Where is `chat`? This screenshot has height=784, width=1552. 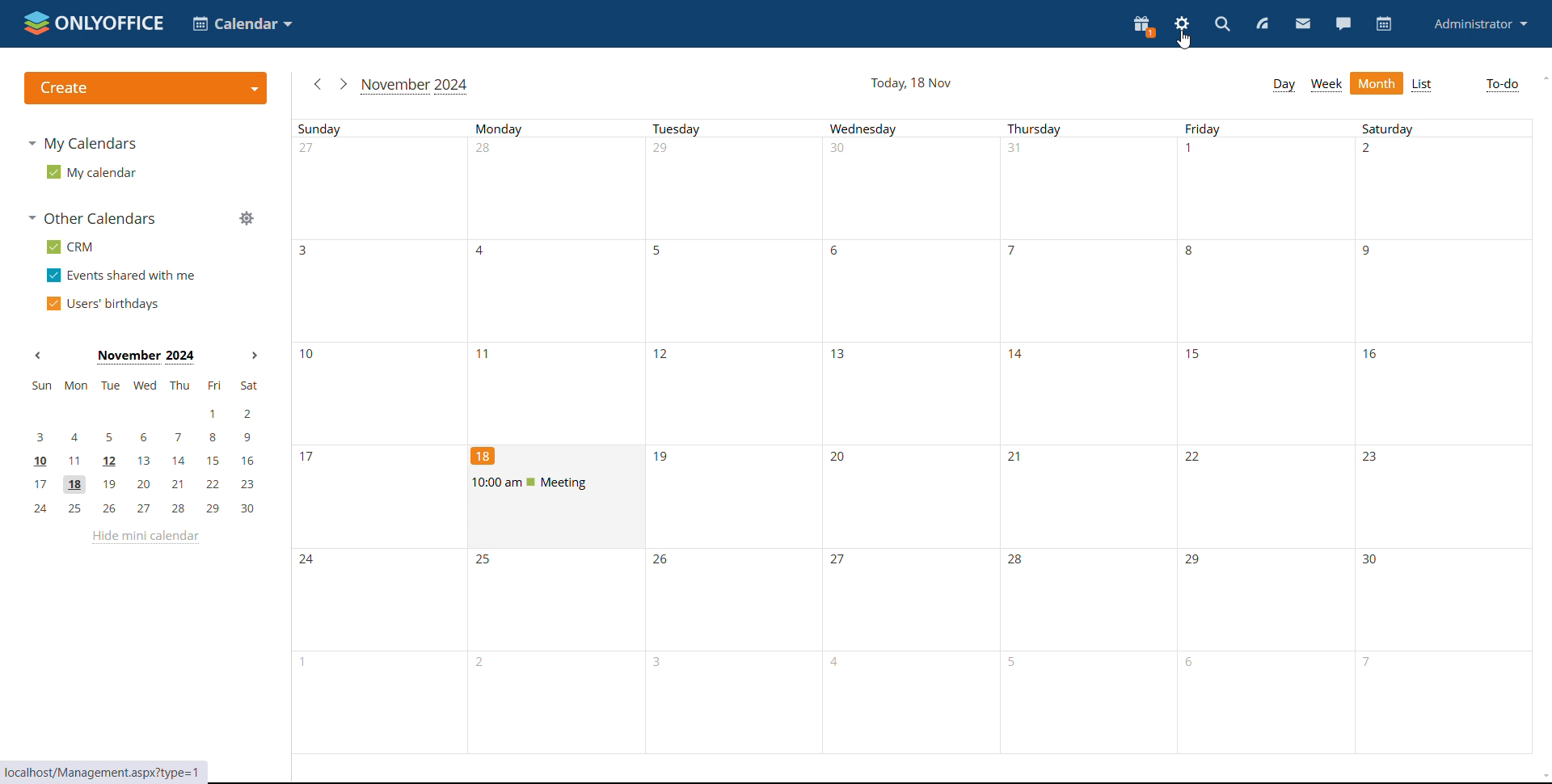
chat is located at coordinates (1343, 23).